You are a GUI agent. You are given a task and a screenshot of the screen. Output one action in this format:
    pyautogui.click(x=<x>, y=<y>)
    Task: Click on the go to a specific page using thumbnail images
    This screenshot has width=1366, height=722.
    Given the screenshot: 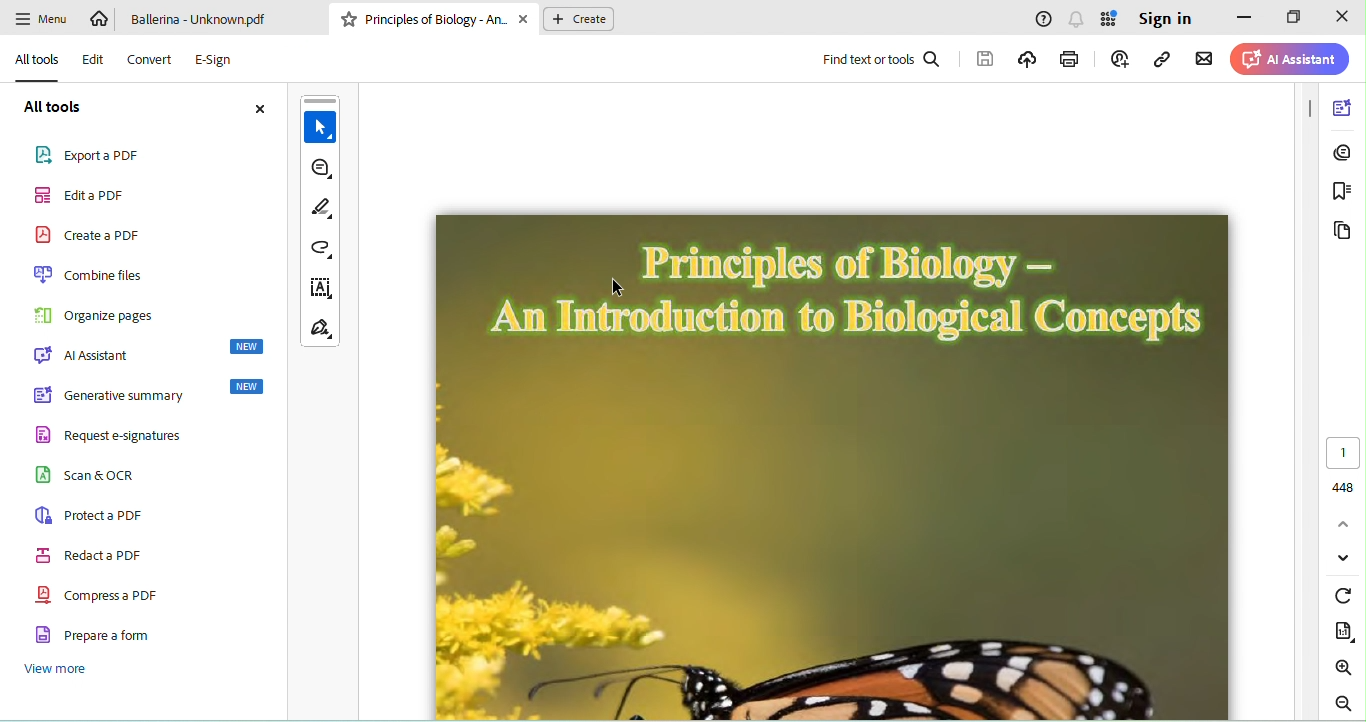 What is the action you would take?
    pyautogui.click(x=1342, y=230)
    